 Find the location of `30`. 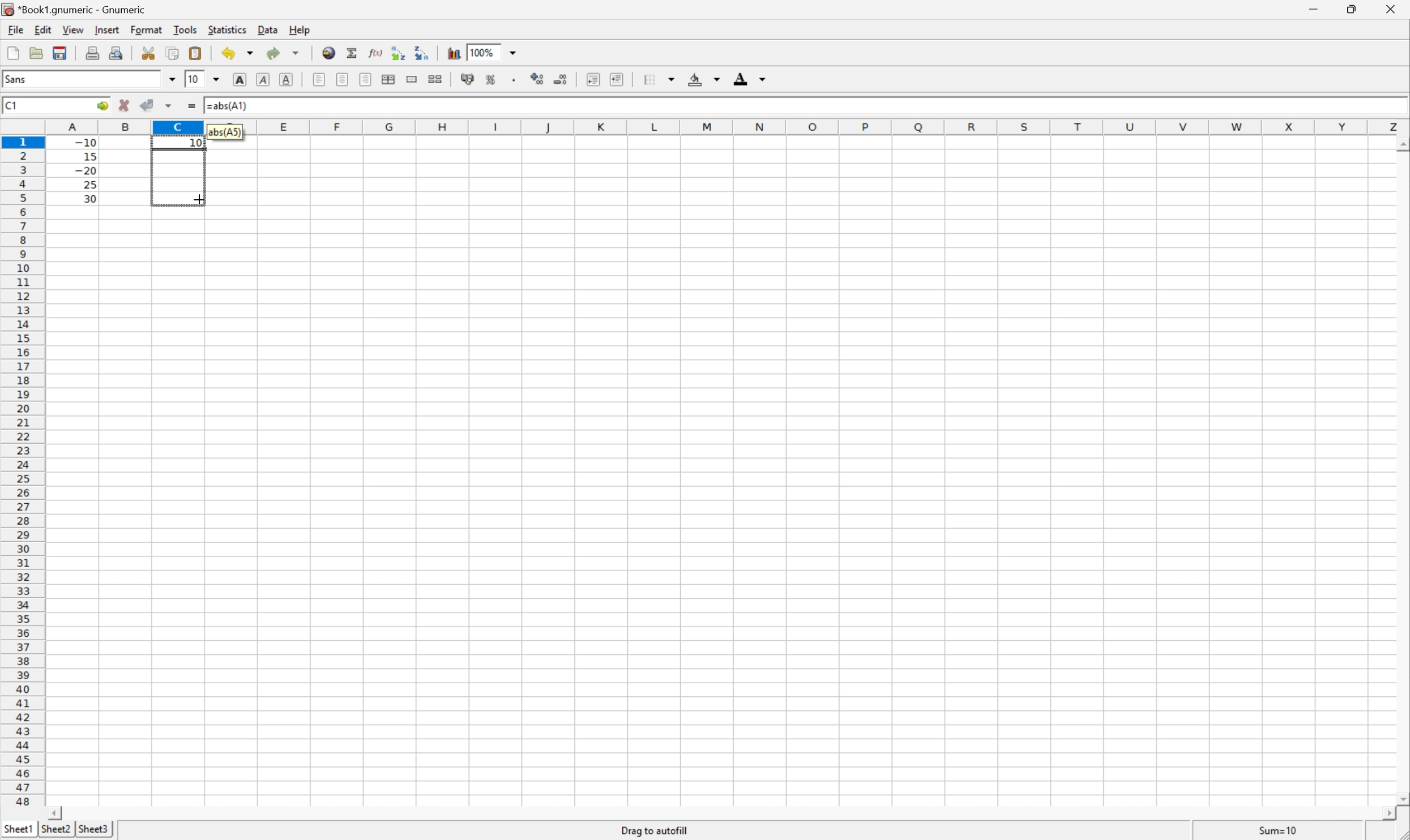

30 is located at coordinates (87, 198).